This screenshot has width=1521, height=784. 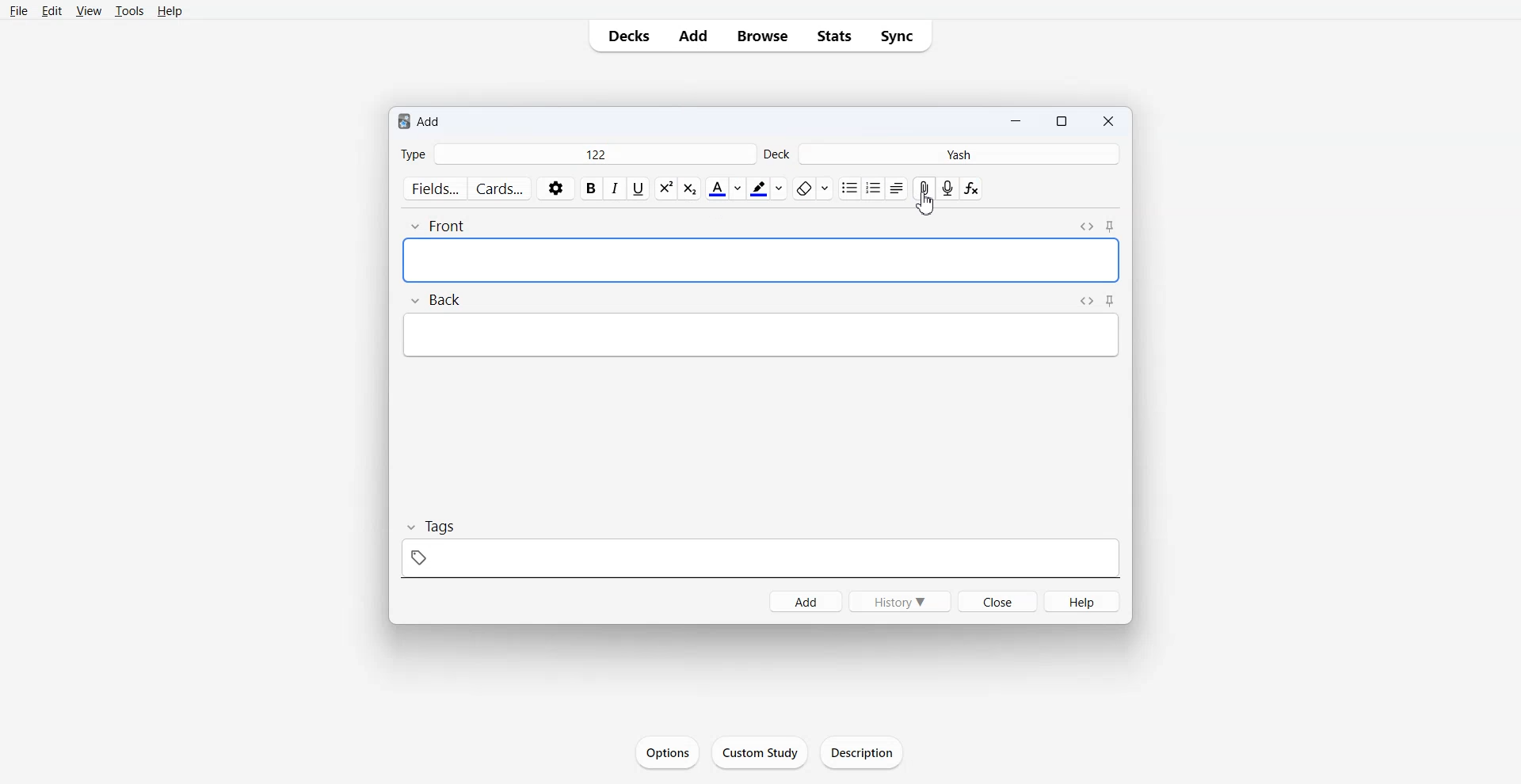 I want to click on Tags, so click(x=436, y=527).